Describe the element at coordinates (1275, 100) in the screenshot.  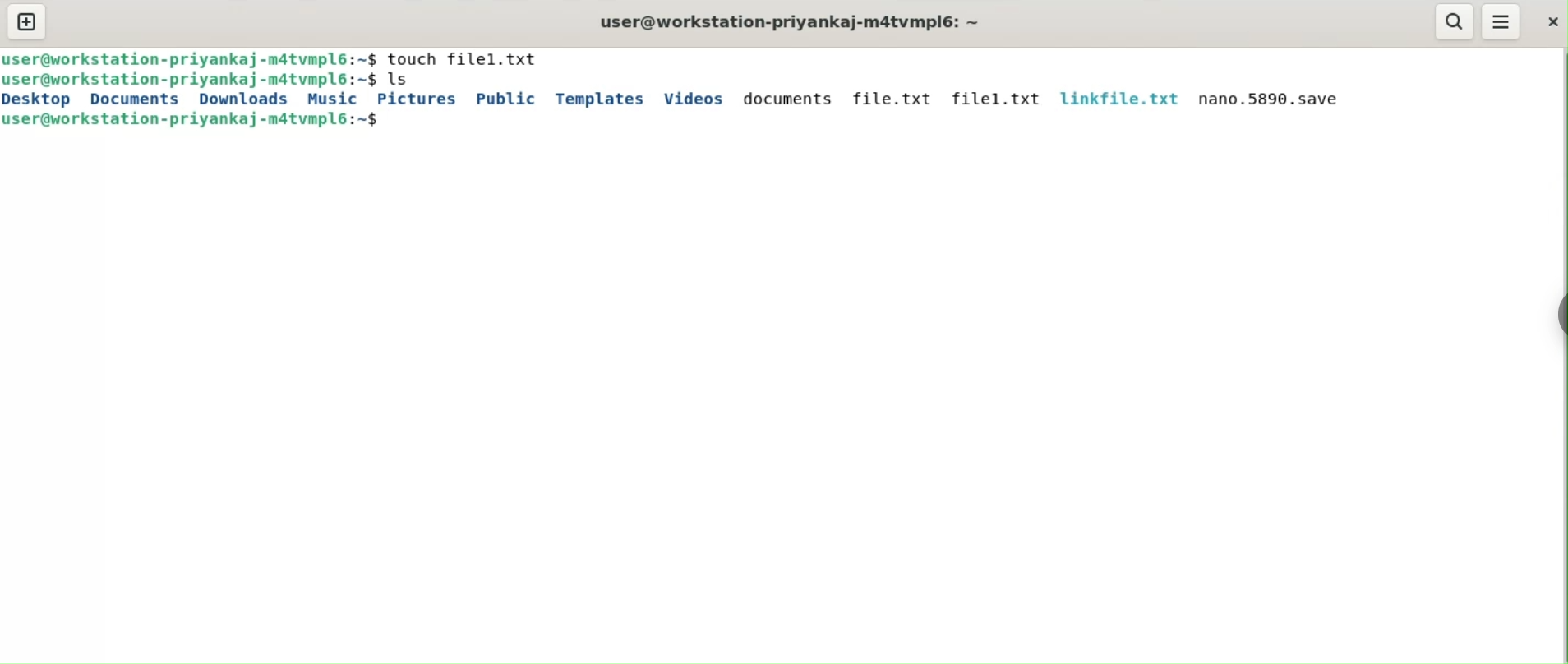
I see `nano.5890.save` at that location.